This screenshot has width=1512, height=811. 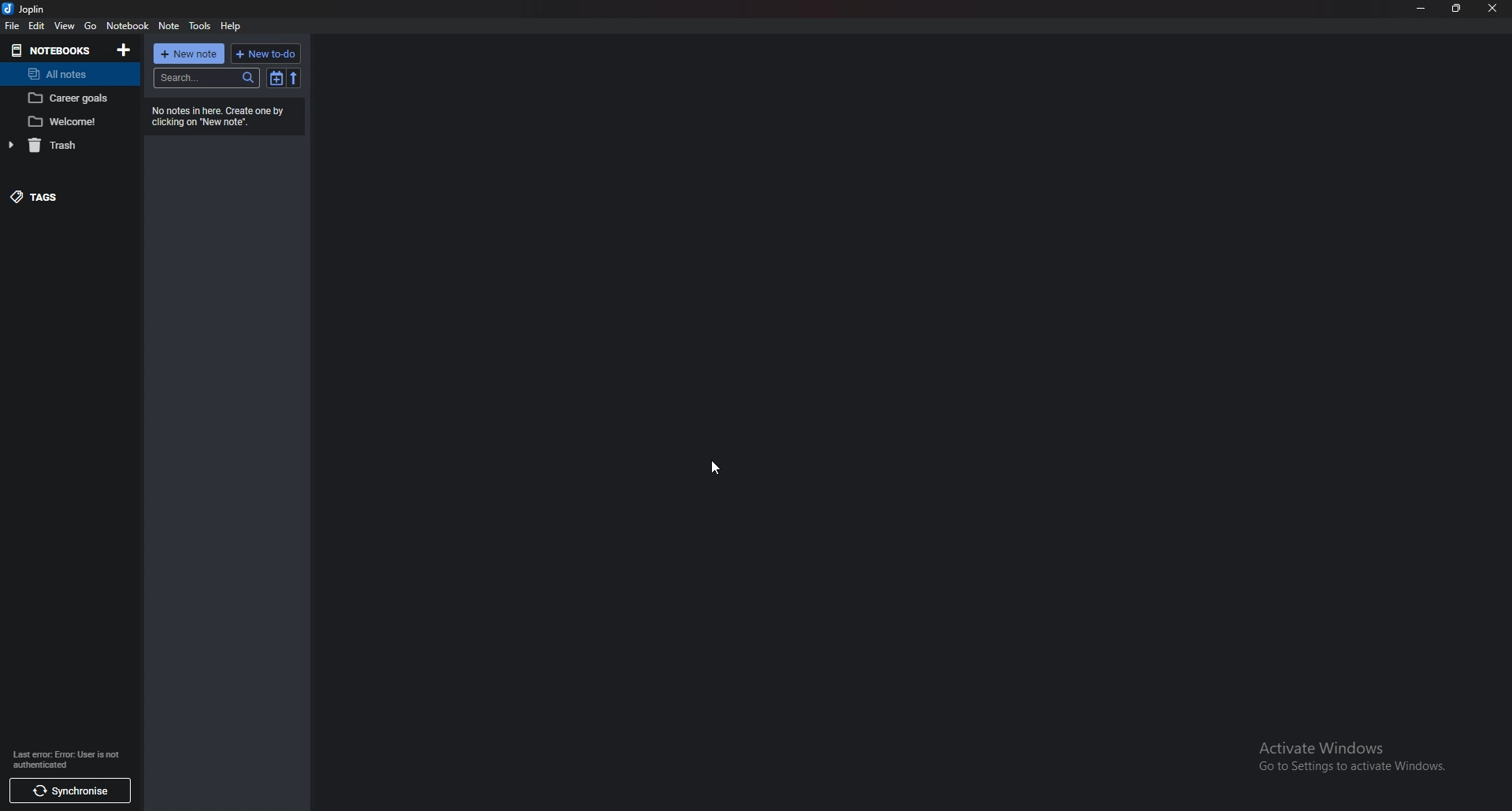 What do you see at coordinates (67, 791) in the screenshot?
I see `sync` at bounding box center [67, 791].